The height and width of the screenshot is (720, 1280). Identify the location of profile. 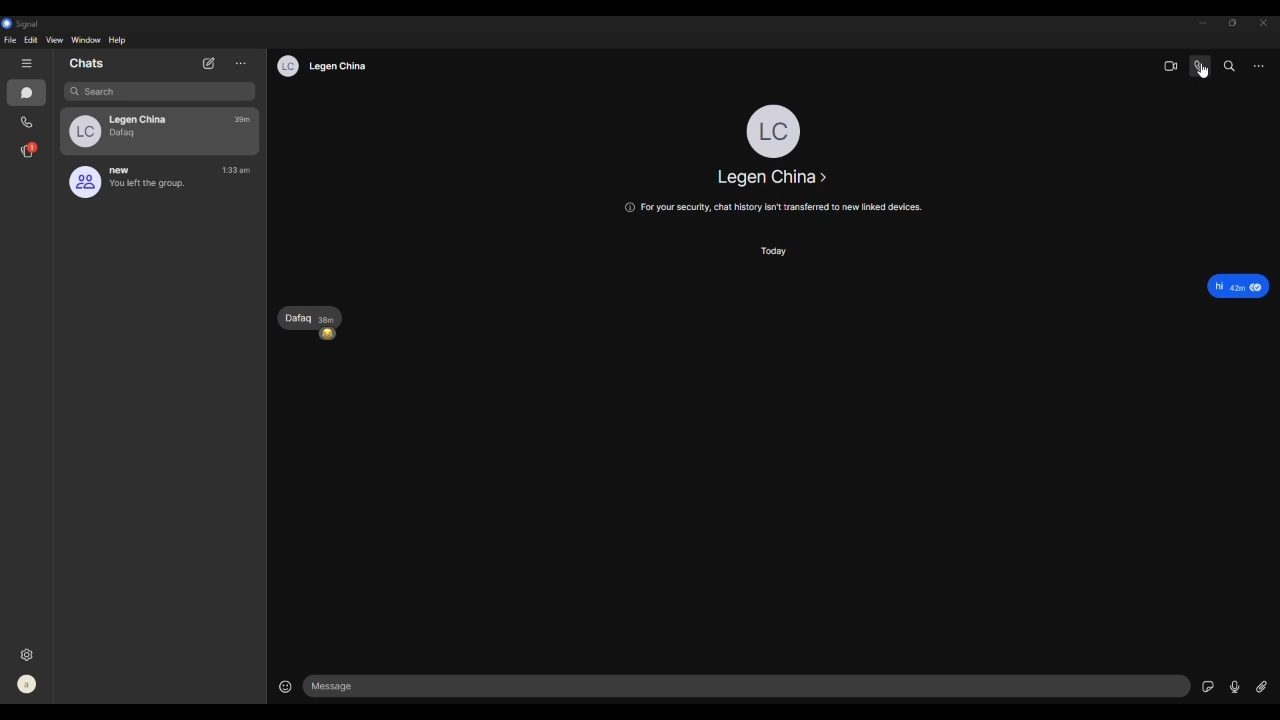
(320, 66).